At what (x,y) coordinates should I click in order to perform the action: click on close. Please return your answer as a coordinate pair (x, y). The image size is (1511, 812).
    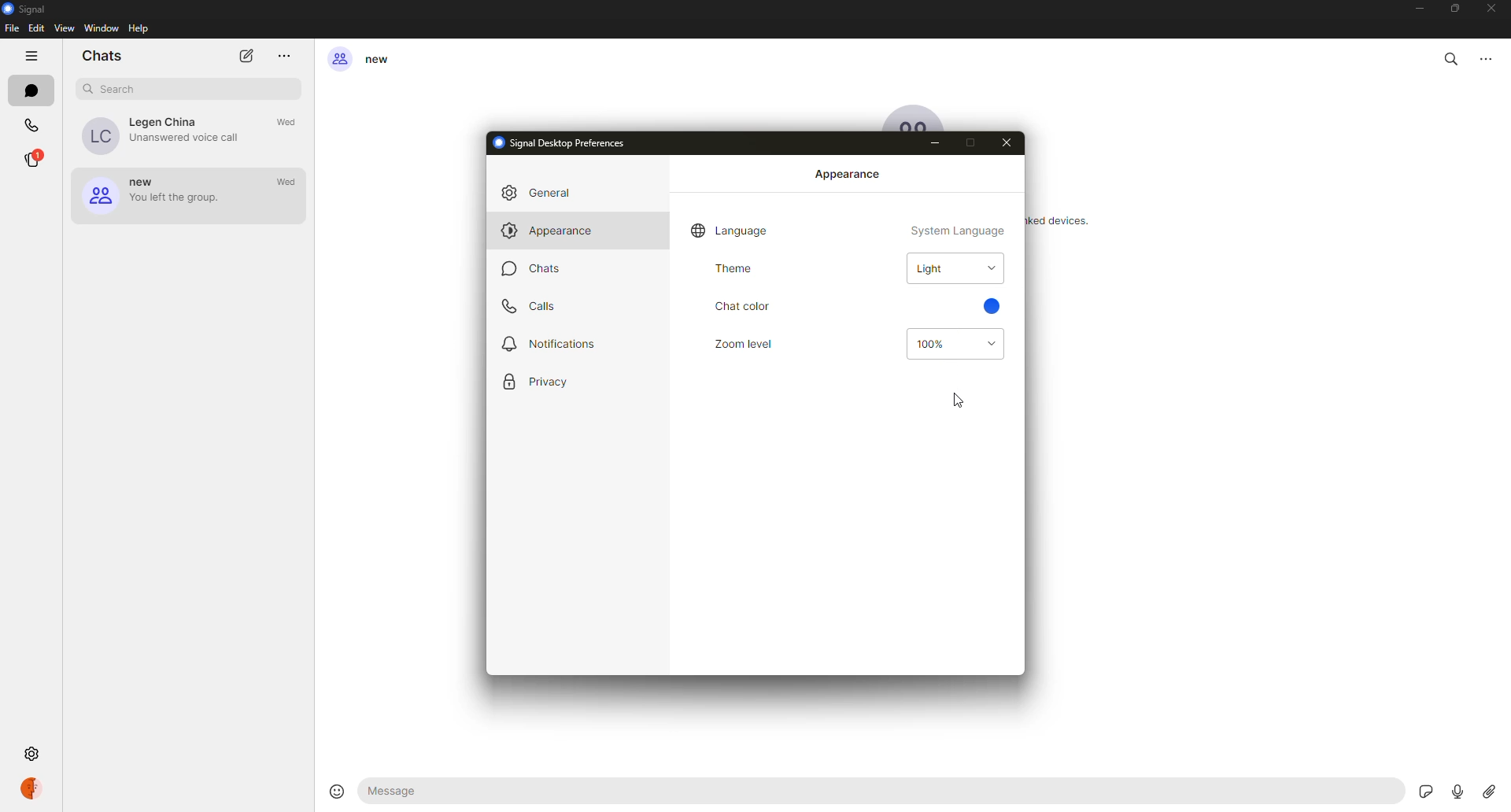
    Looking at the image, I should click on (1010, 143).